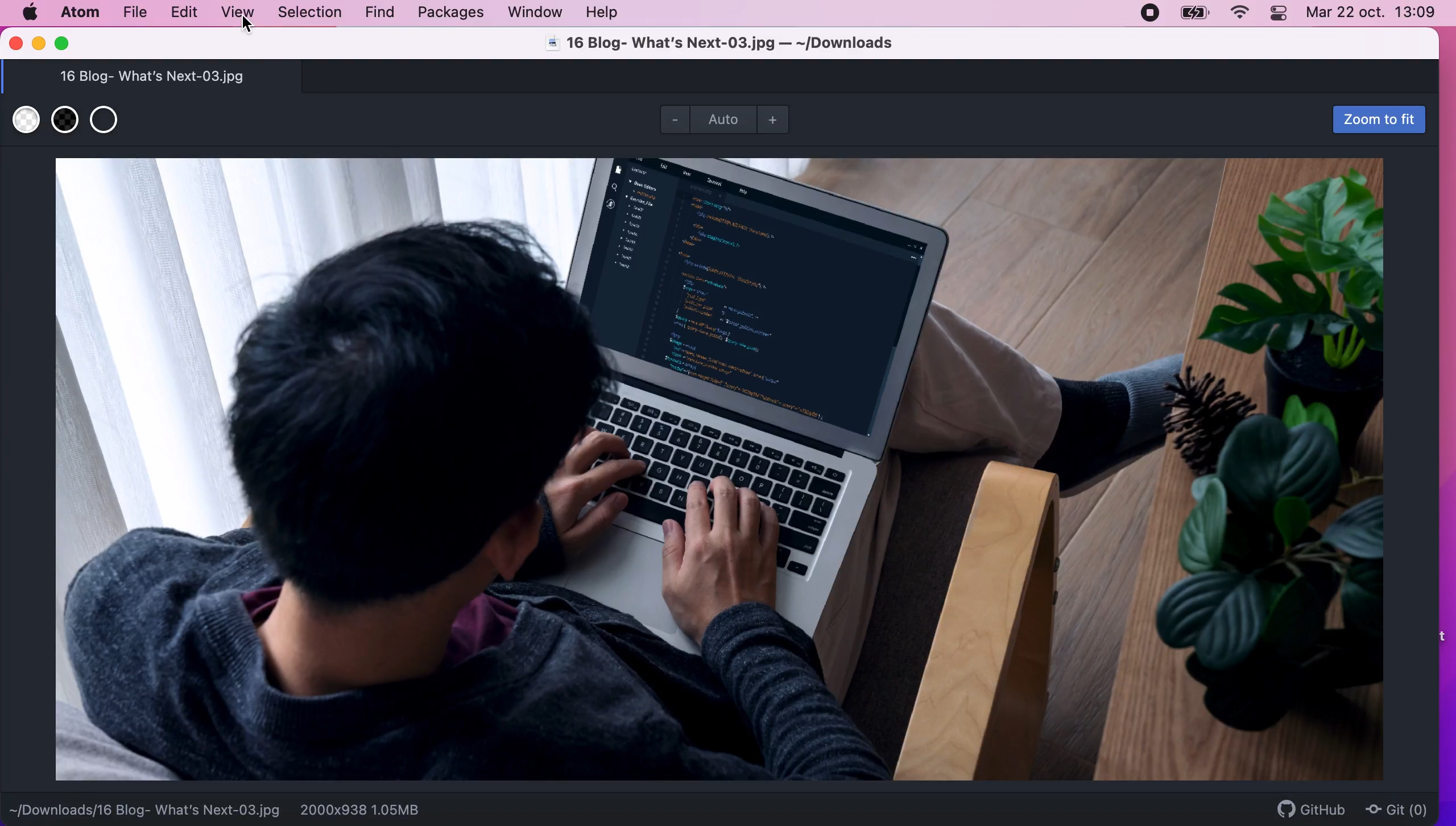 The width and height of the screenshot is (1456, 826). What do you see at coordinates (68, 43) in the screenshot?
I see `maximize` at bounding box center [68, 43].